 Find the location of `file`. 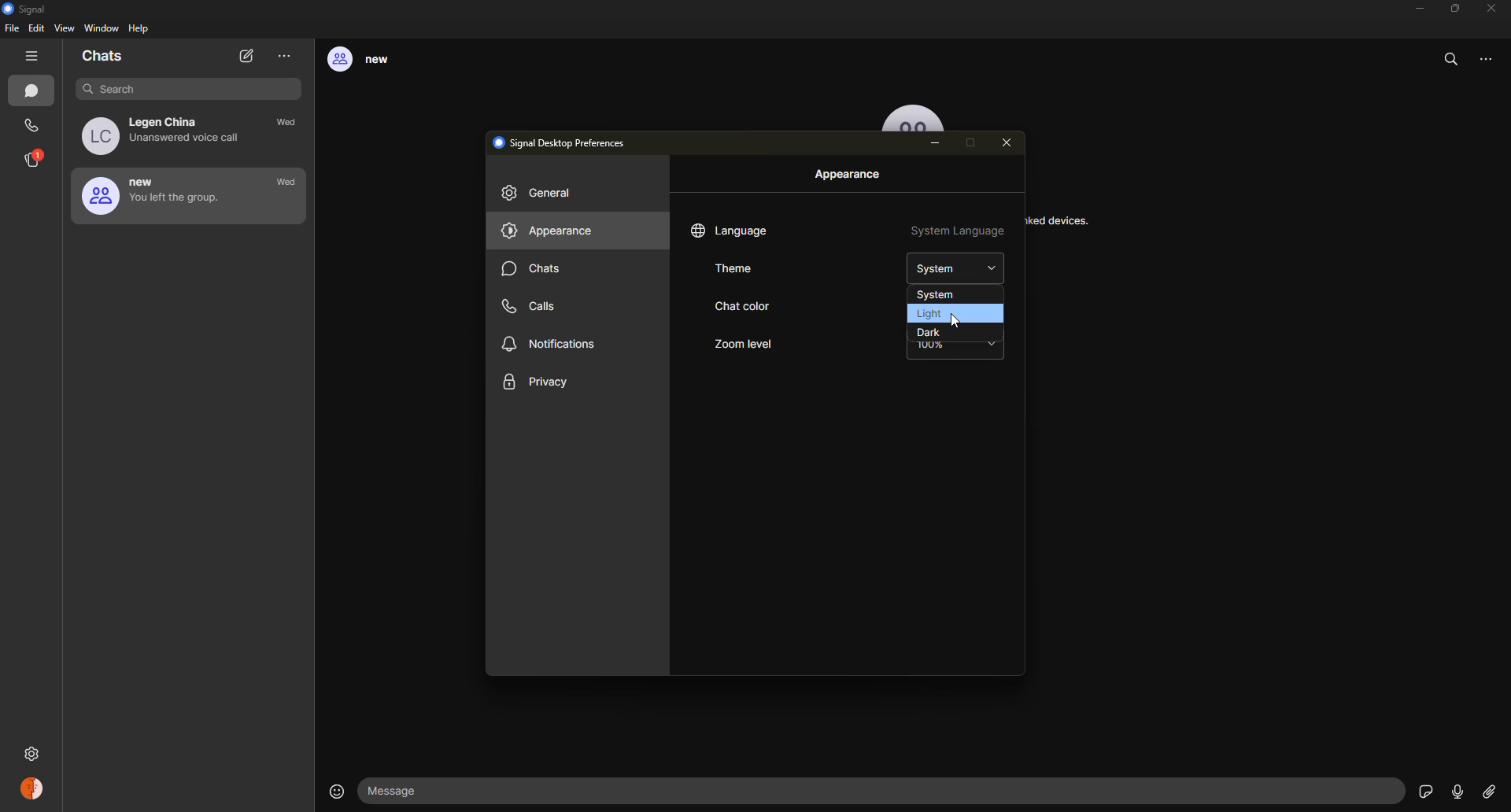

file is located at coordinates (12, 31).